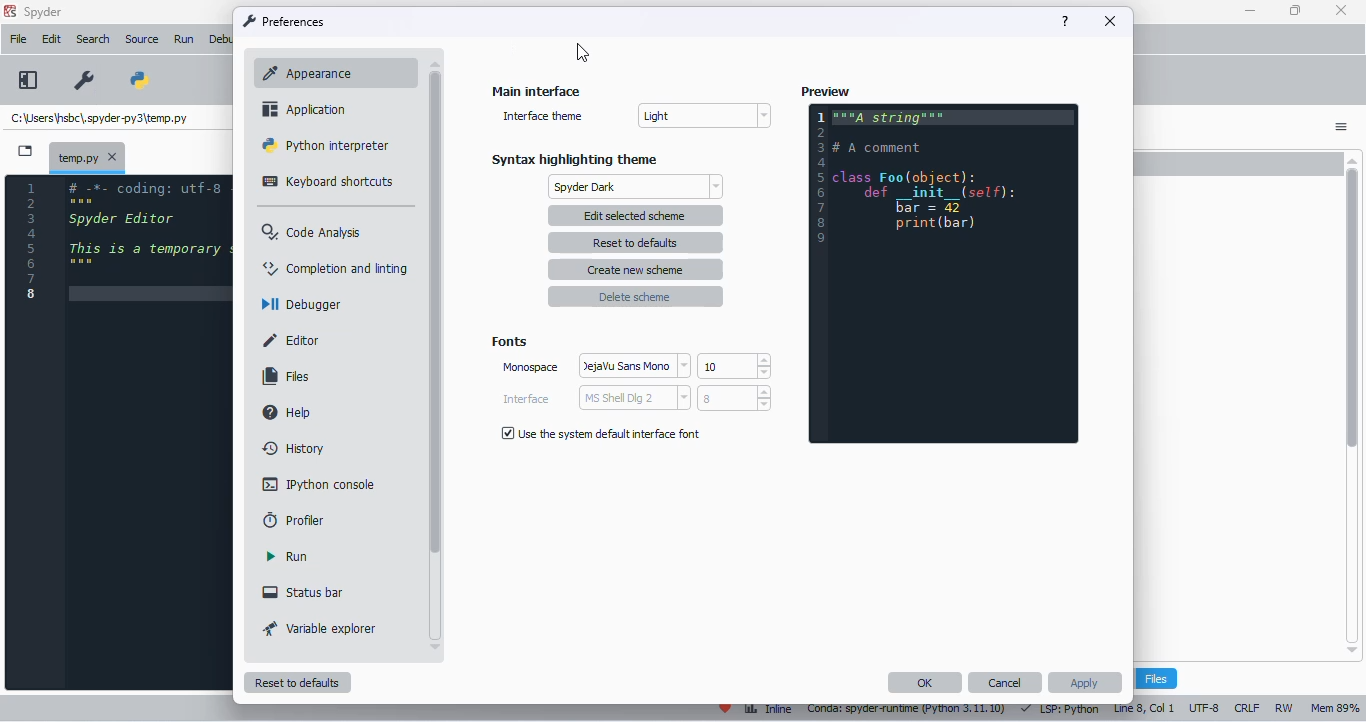 This screenshot has height=722, width=1366. What do you see at coordinates (635, 270) in the screenshot?
I see `create new scheme` at bounding box center [635, 270].